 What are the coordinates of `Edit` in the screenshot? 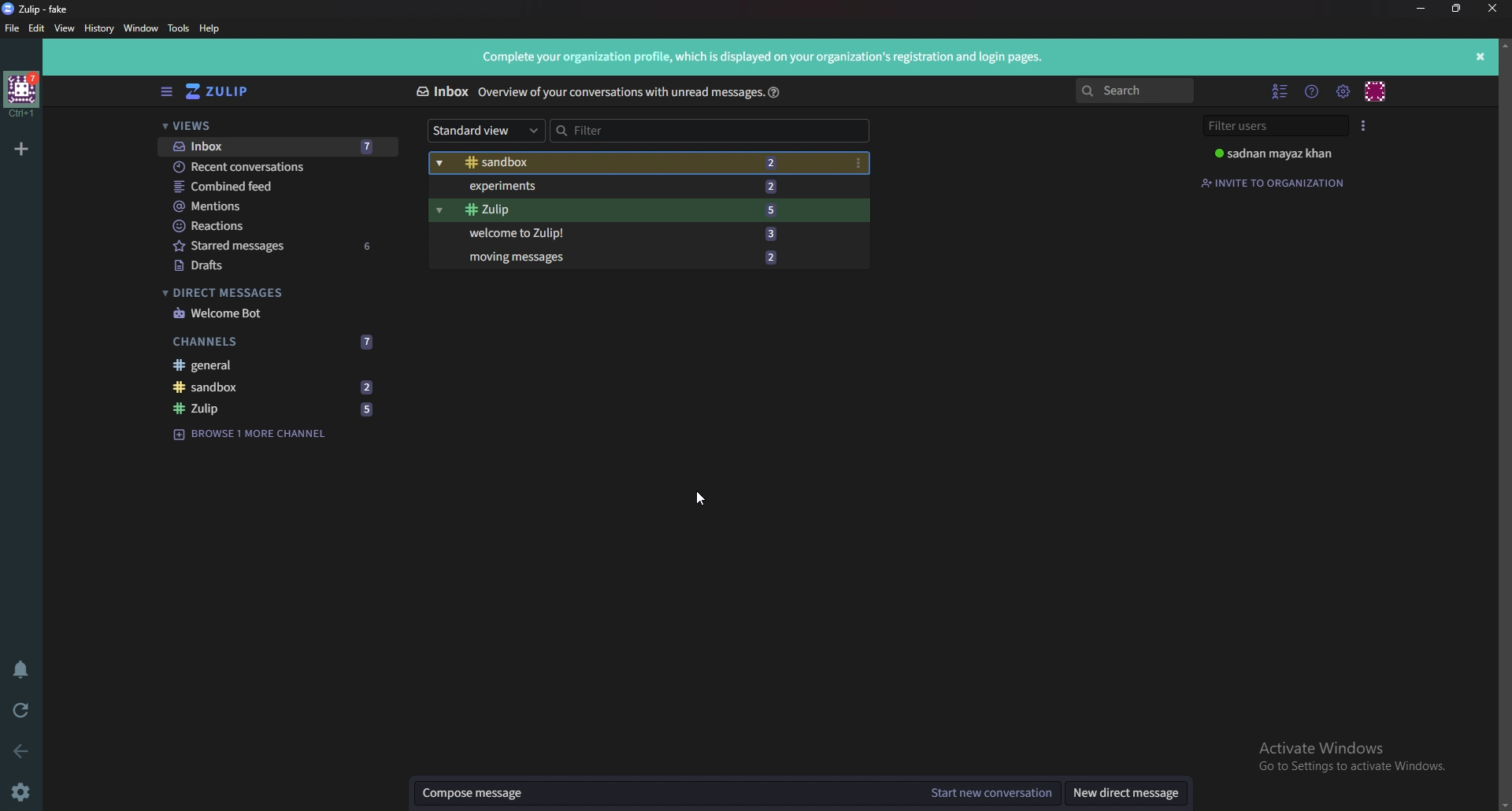 It's located at (36, 28).